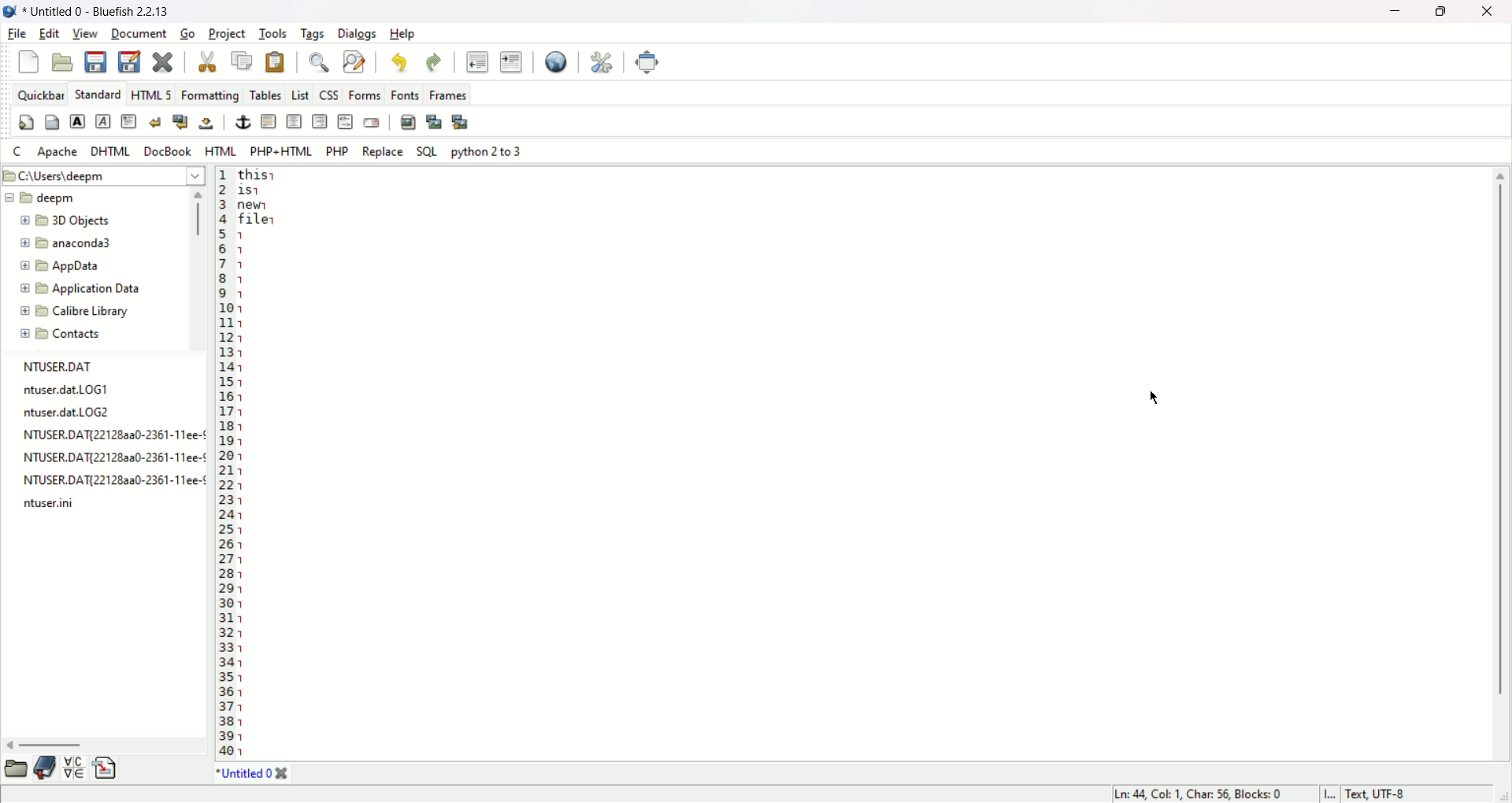 The height and width of the screenshot is (803, 1512). What do you see at coordinates (295, 121) in the screenshot?
I see `center` at bounding box center [295, 121].